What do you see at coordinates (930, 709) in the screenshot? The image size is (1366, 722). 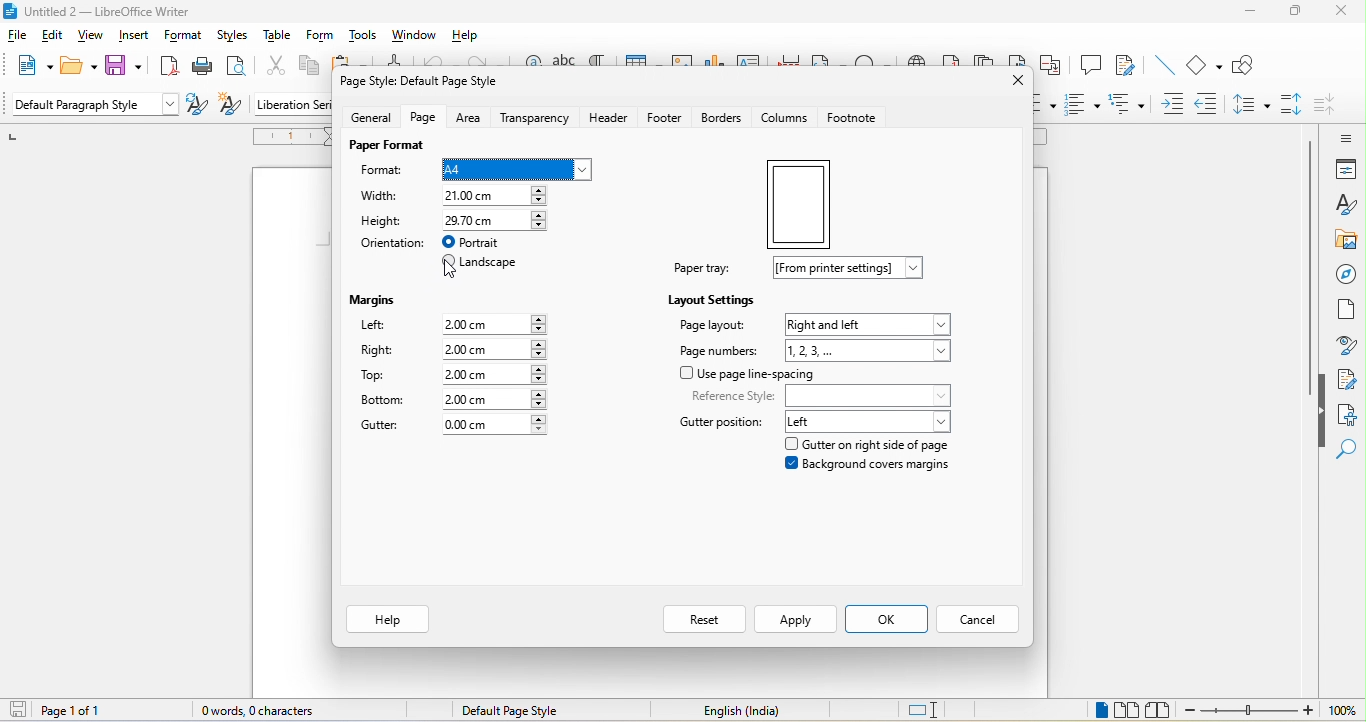 I see `standard selection` at bounding box center [930, 709].